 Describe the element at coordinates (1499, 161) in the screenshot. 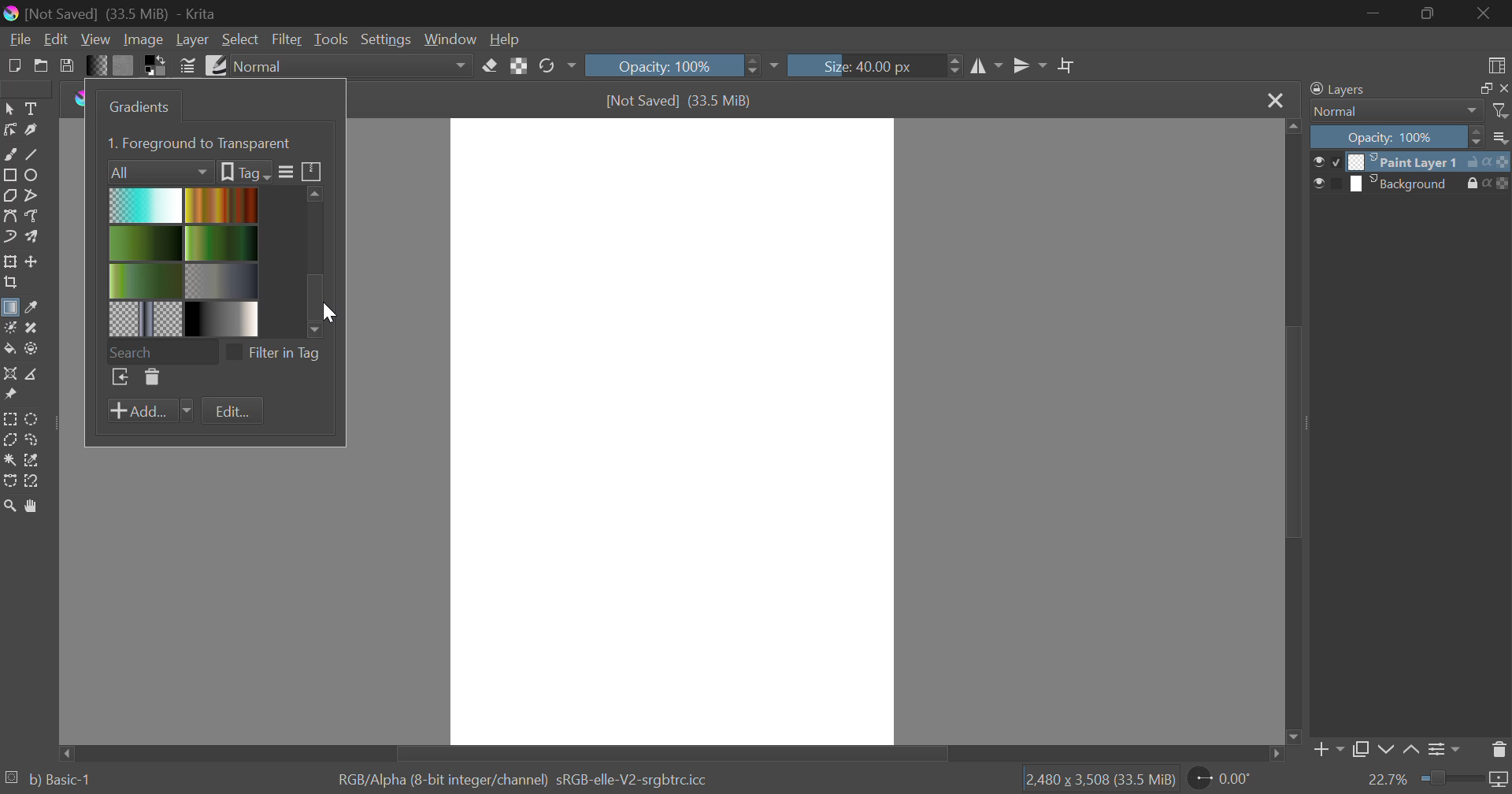

I see `icon` at that location.